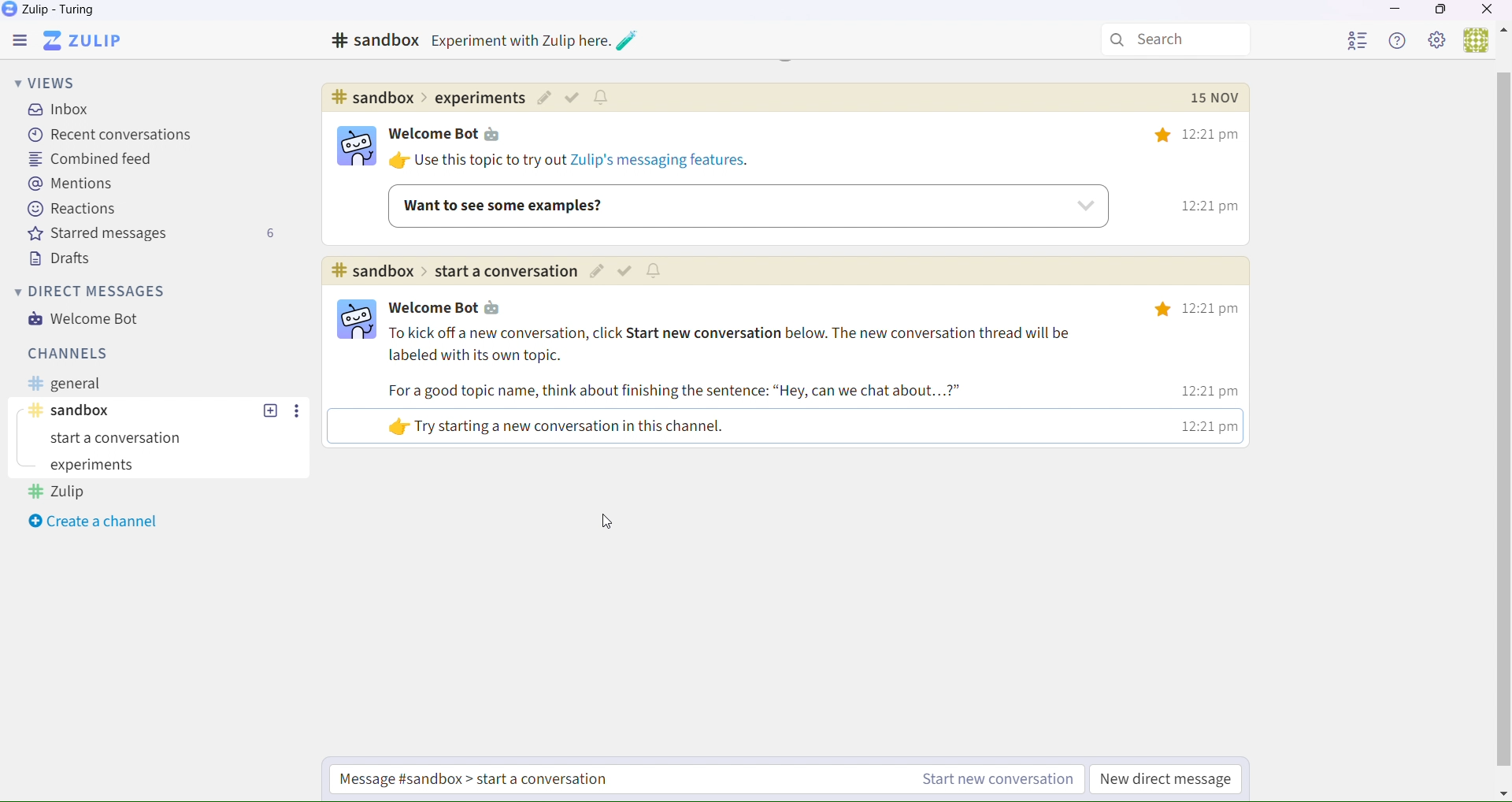  Describe the element at coordinates (358, 150) in the screenshot. I see `bot logo` at that location.